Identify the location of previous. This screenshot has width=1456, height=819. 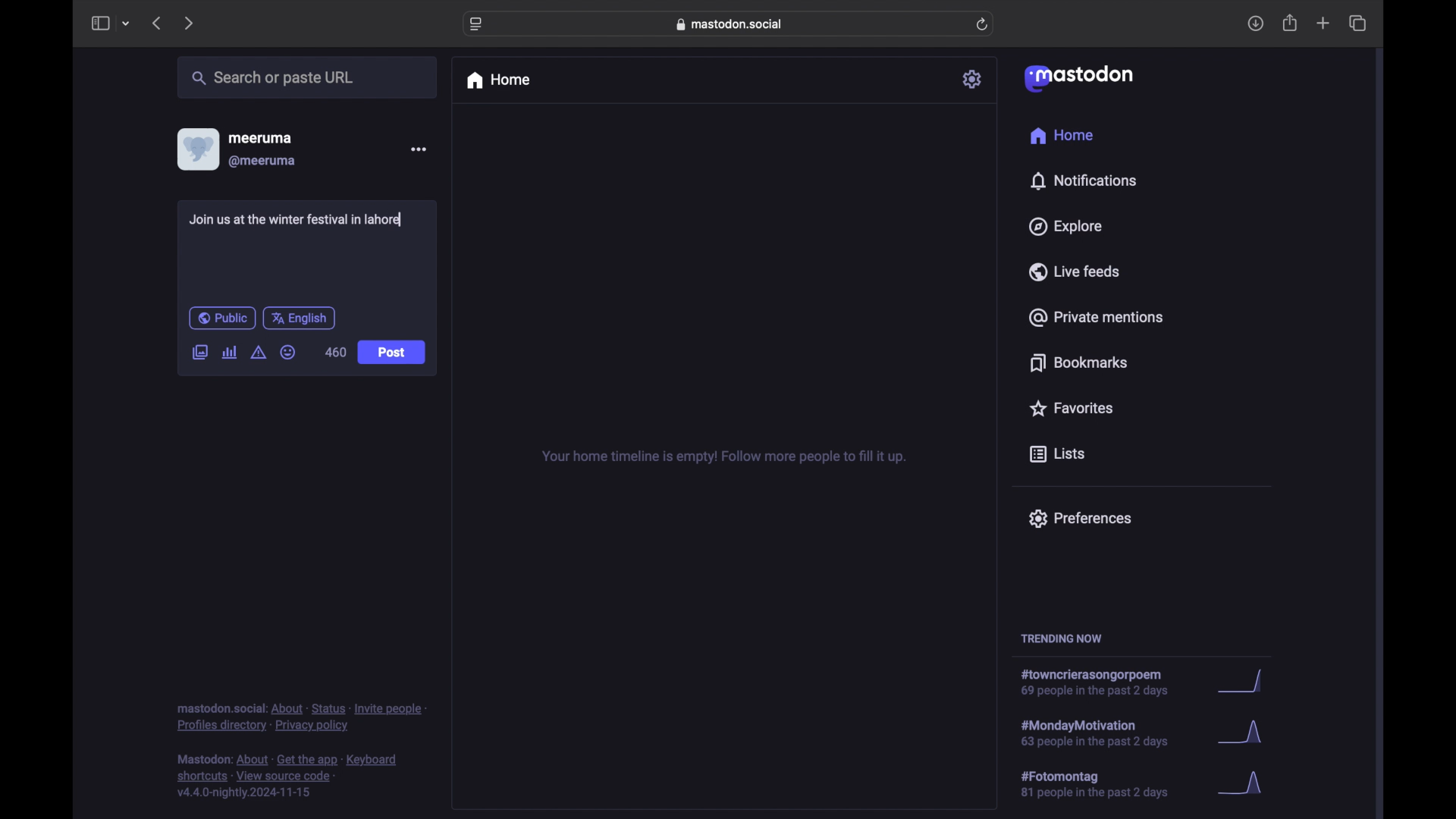
(156, 23).